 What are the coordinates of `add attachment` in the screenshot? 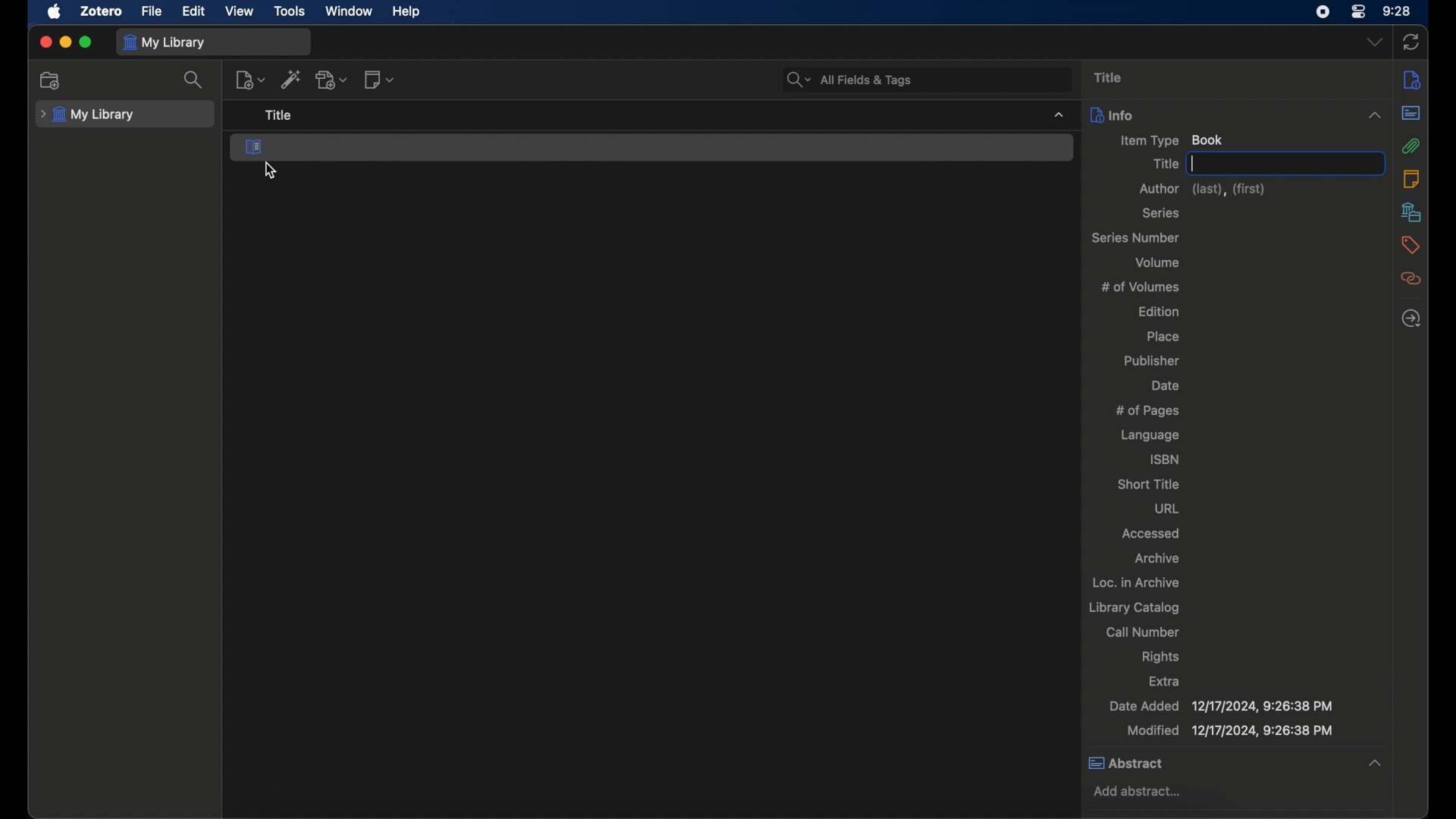 It's located at (331, 80).